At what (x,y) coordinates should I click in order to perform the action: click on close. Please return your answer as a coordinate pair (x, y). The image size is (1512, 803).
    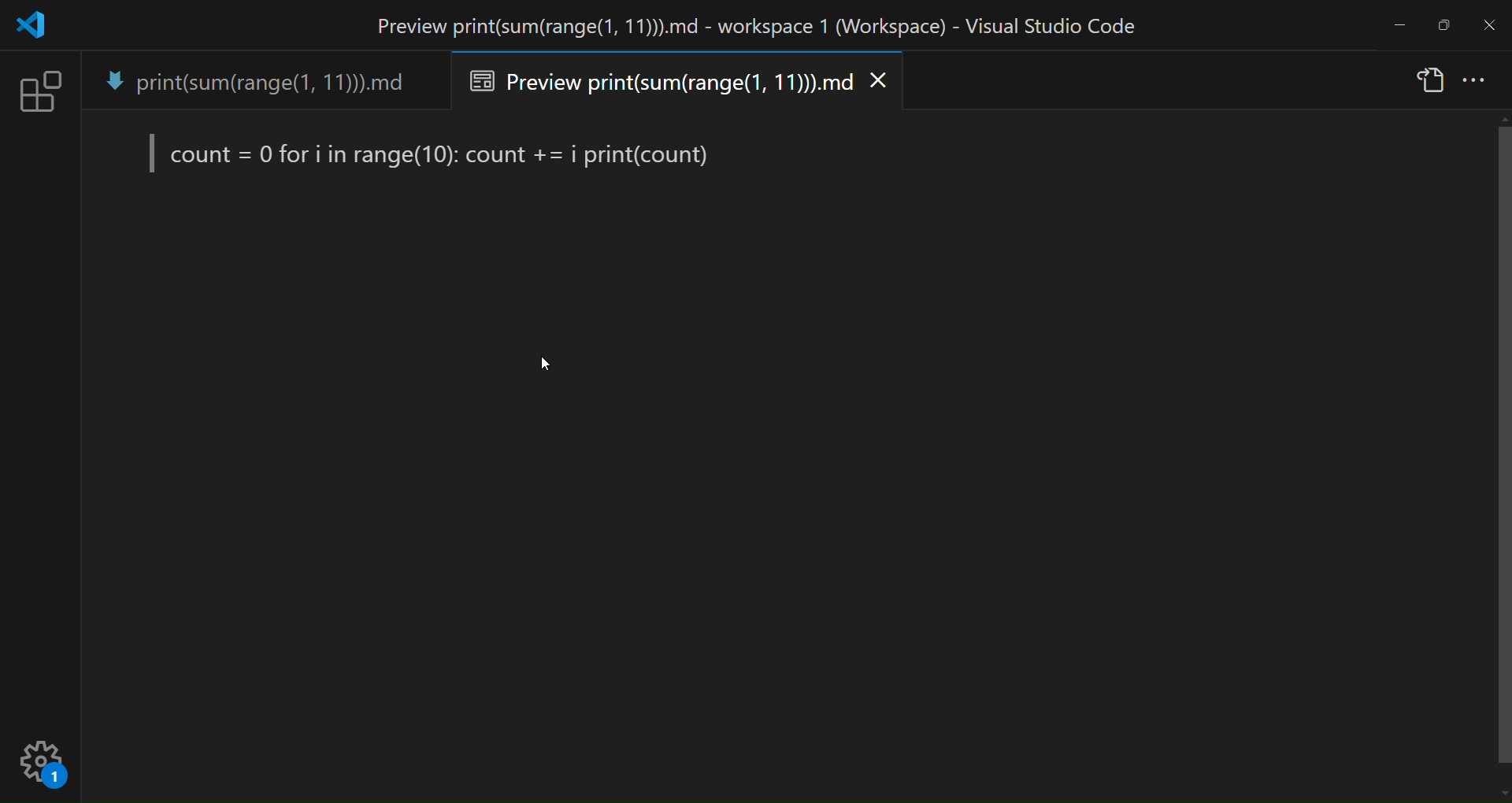
    Looking at the image, I should click on (1491, 22).